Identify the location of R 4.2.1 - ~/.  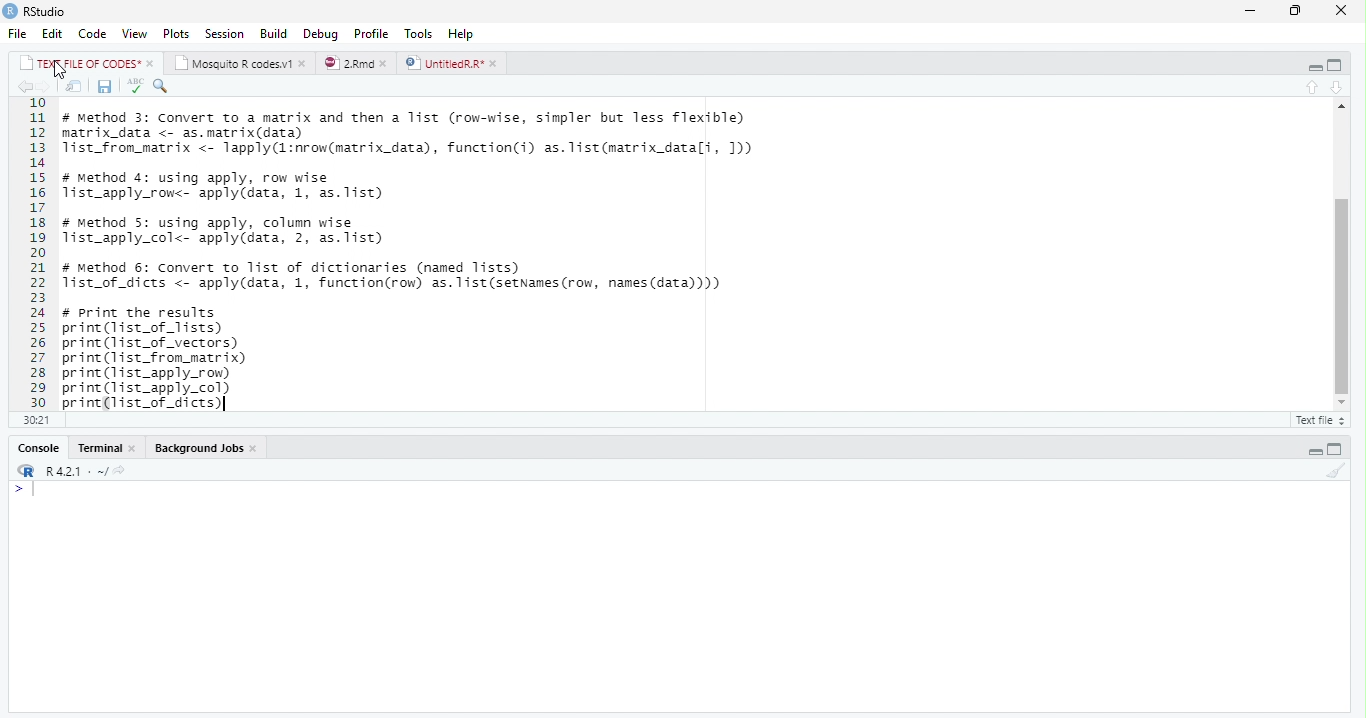
(78, 470).